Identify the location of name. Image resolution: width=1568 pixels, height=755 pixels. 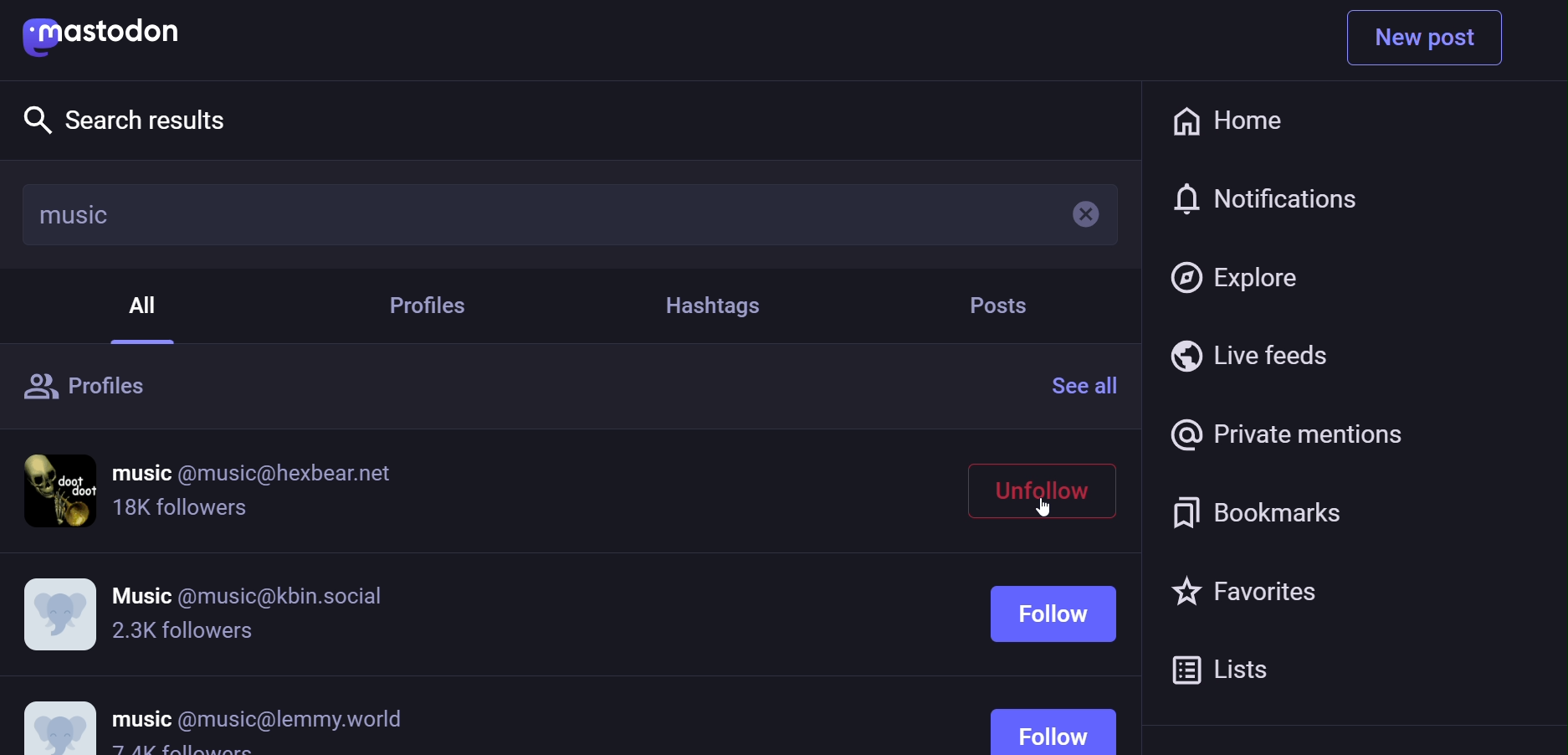
(251, 588).